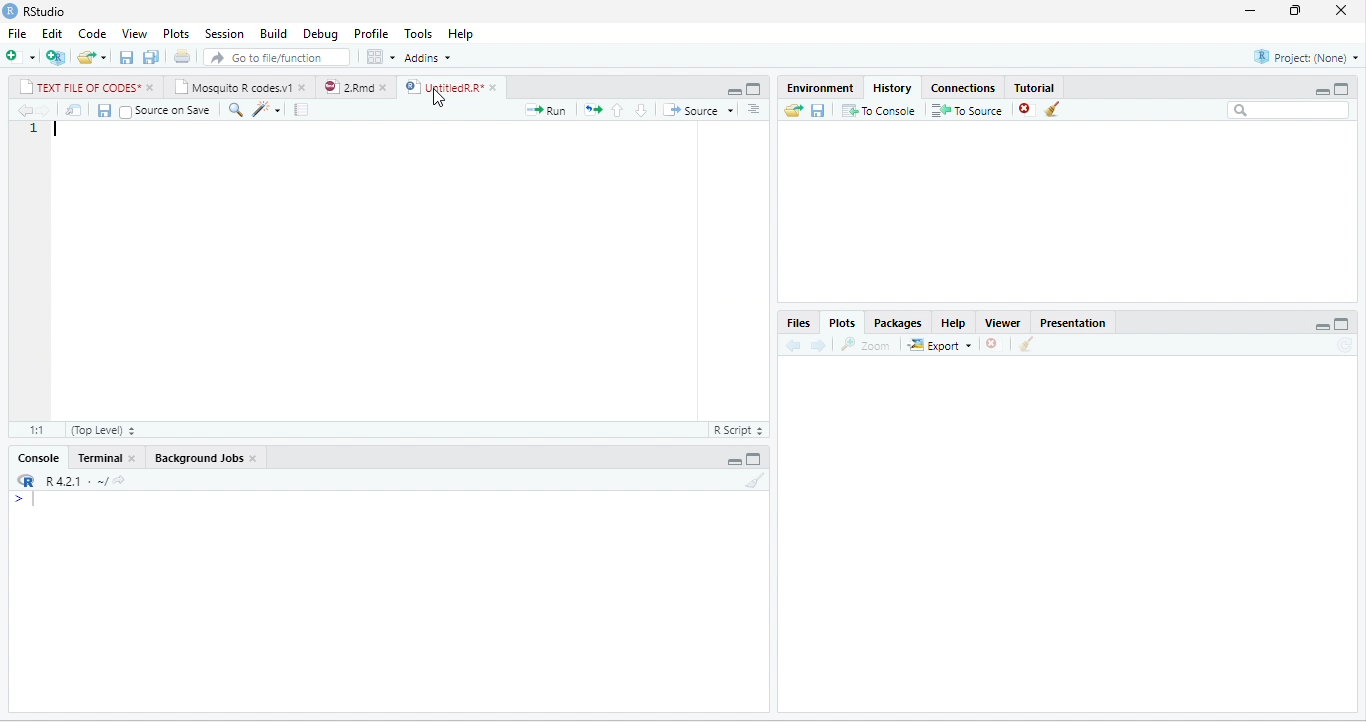 This screenshot has height=722, width=1366. I want to click on minimize, so click(1249, 12).